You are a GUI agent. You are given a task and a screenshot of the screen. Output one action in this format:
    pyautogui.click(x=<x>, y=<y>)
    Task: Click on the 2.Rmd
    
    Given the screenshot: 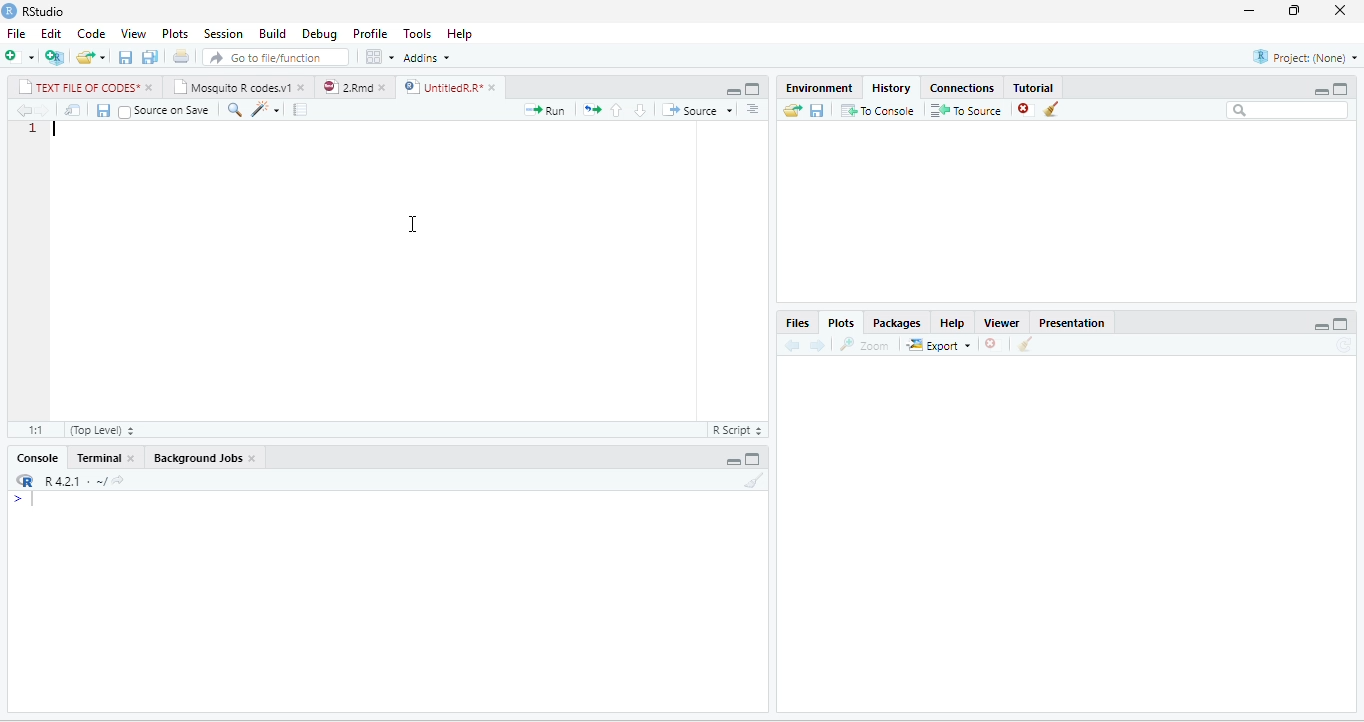 What is the action you would take?
    pyautogui.click(x=346, y=87)
    